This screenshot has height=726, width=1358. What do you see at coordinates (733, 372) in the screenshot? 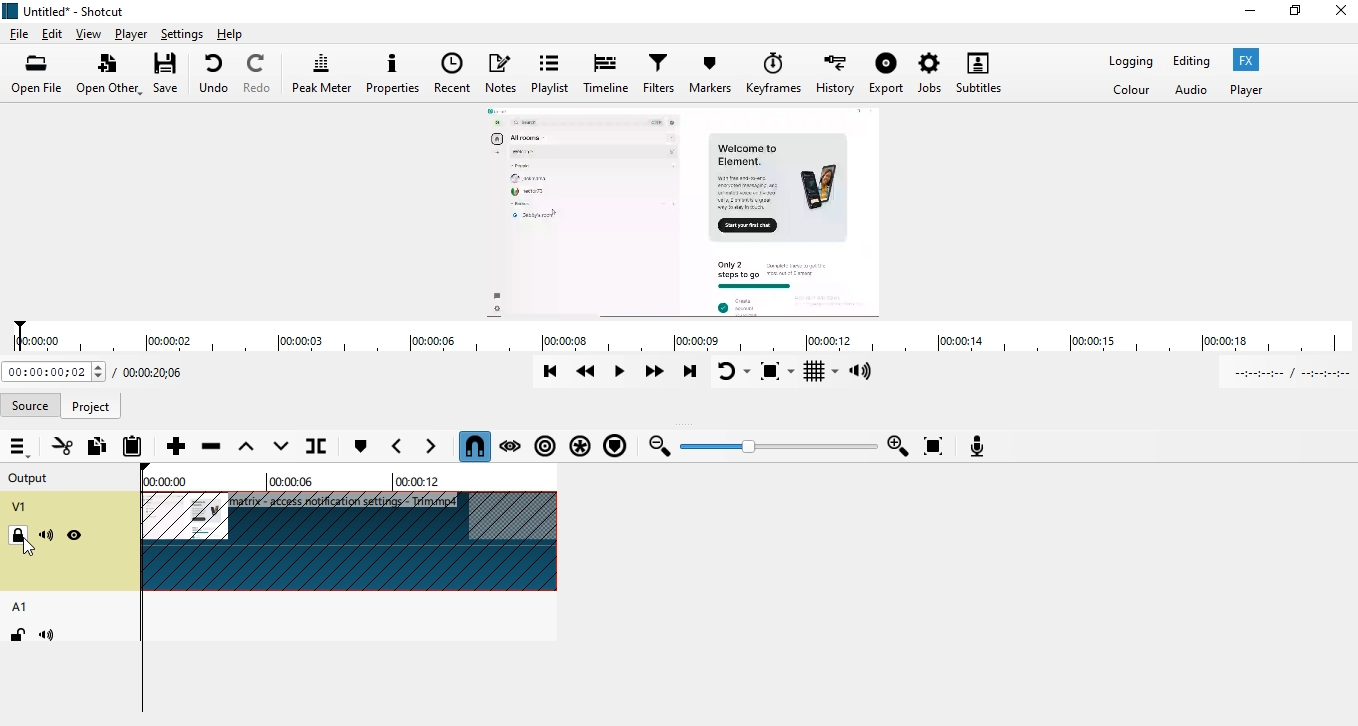
I see `Toggle player looping` at bounding box center [733, 372].